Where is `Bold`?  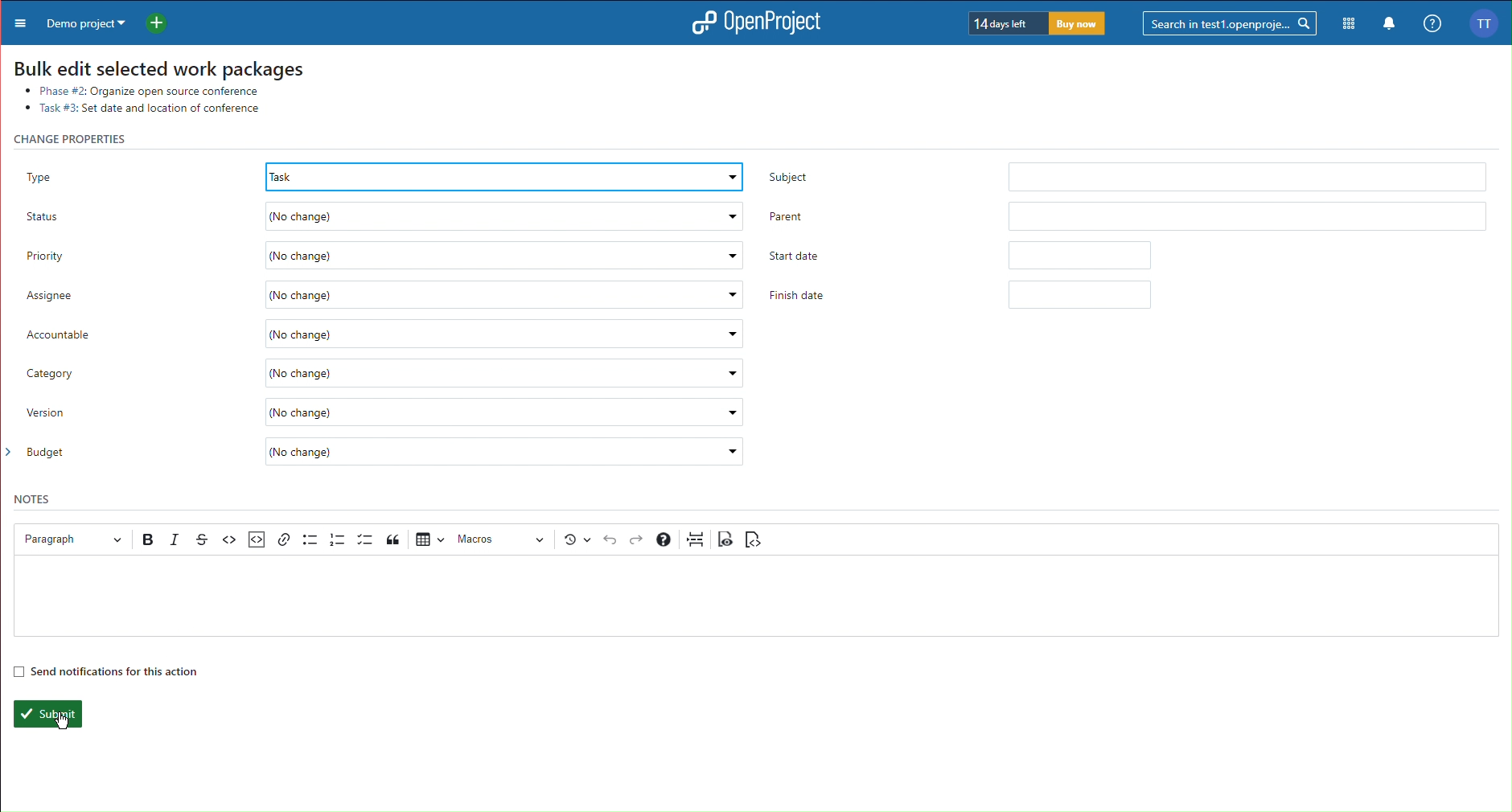 Bold is located at coordinates (150, 539).